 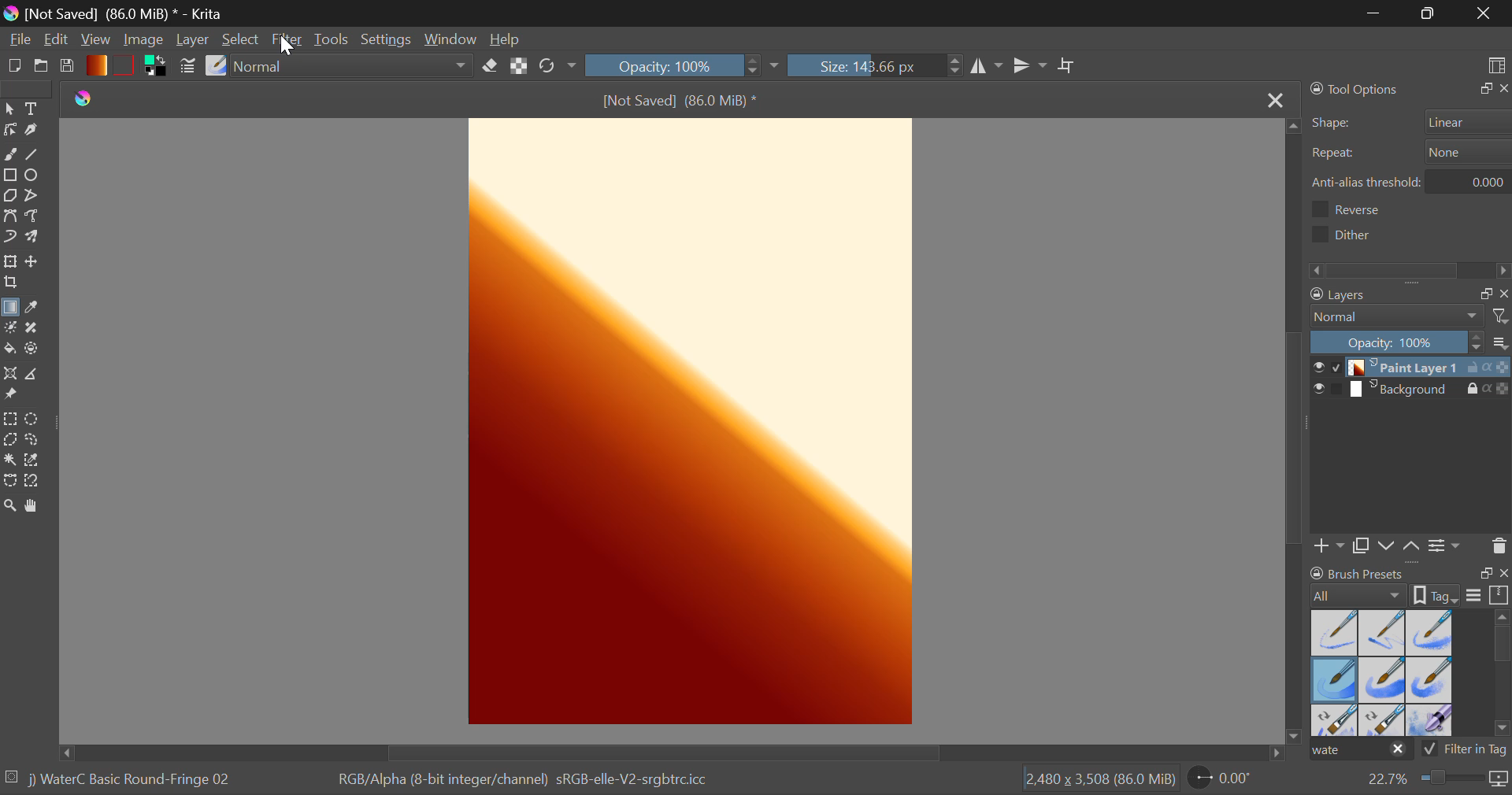 I want to click on Polygon, so click(x=9, y=195).